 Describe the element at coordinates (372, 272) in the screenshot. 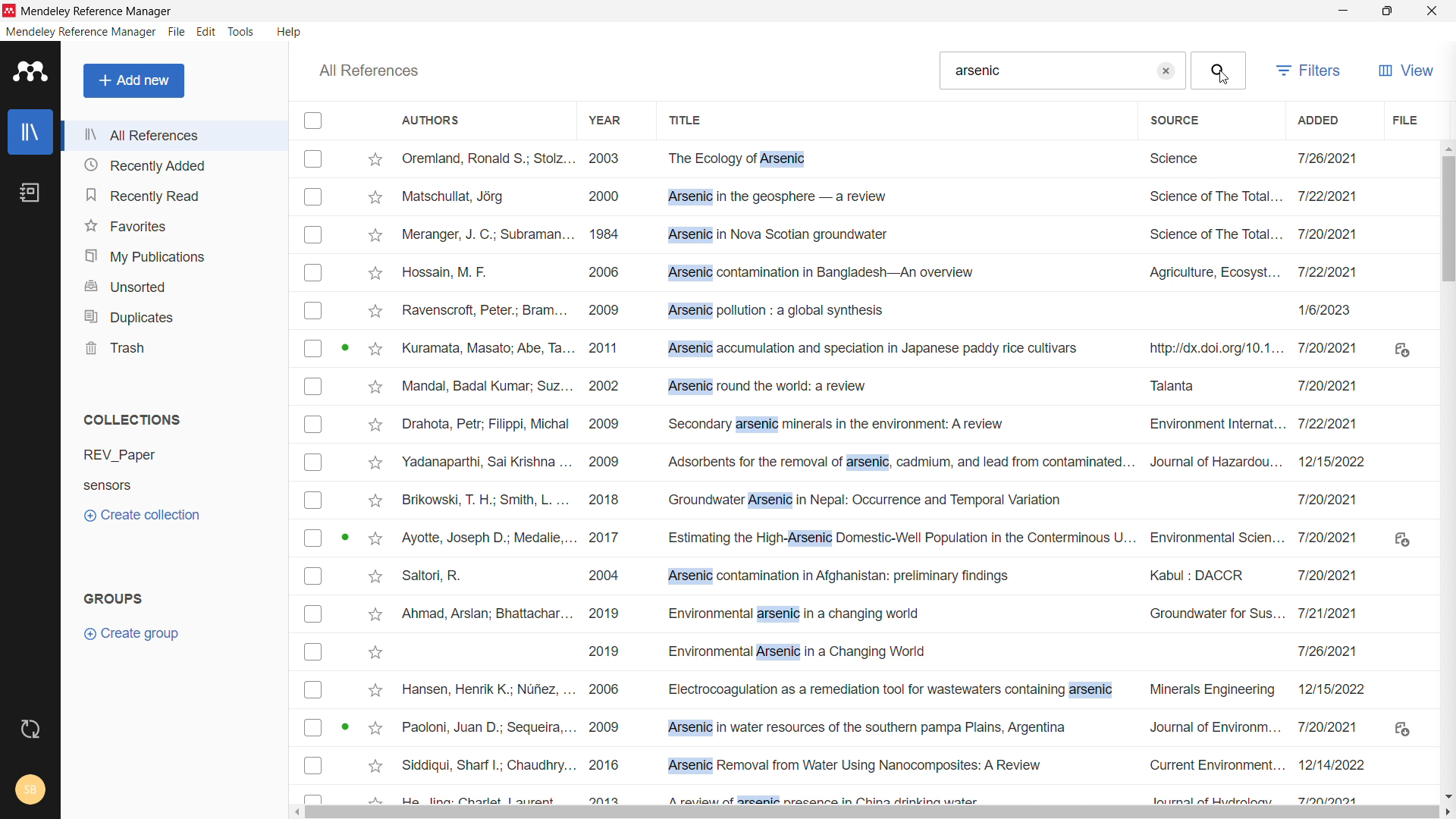

I see `Add to favorites` at that location.